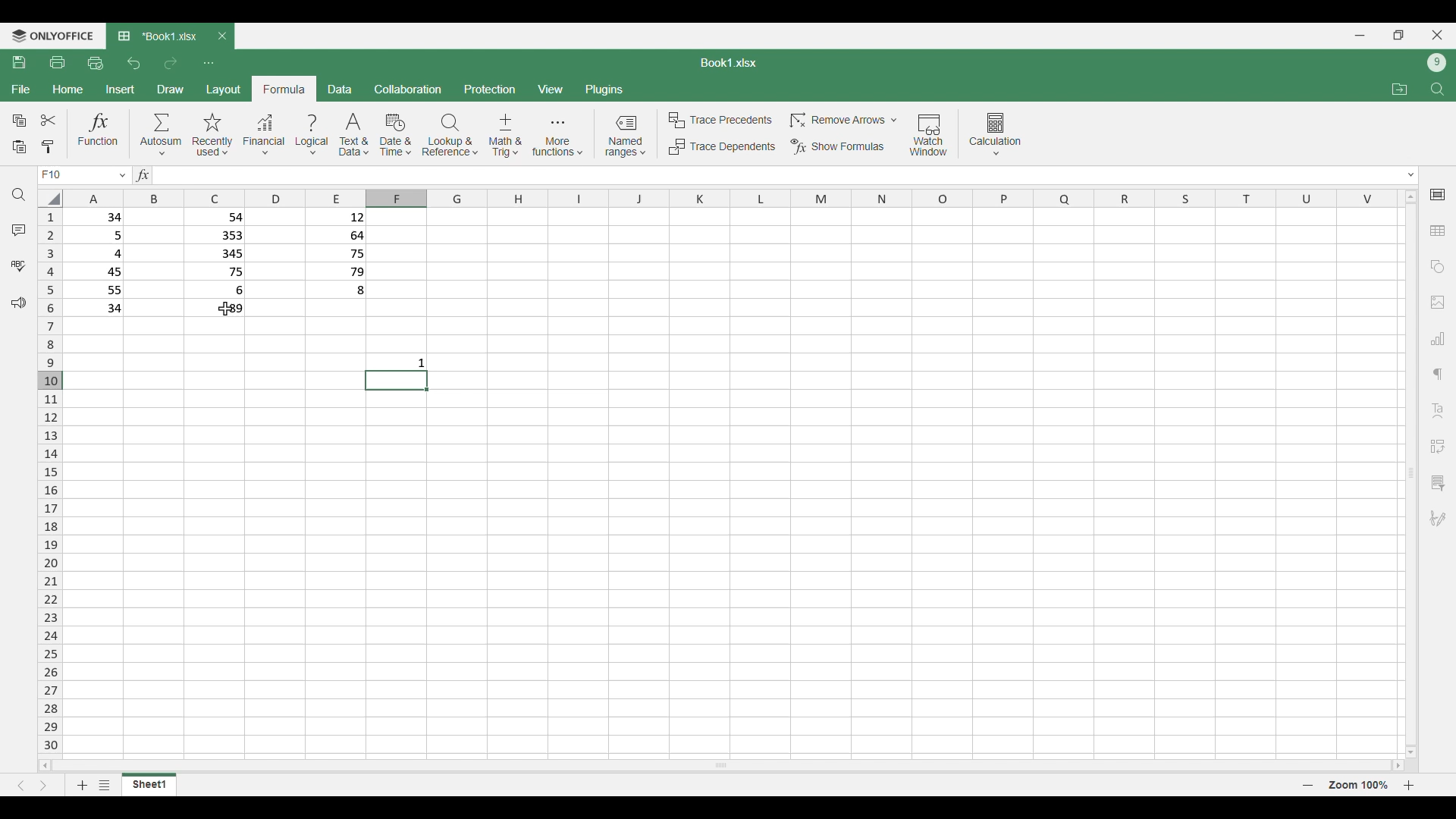 Image resolution: width=1456 pixels, height=819 pixels. What do you see at coordinates (162, 133) in the screenshot?
I see `Autosum` at bounding box center [162, 133].